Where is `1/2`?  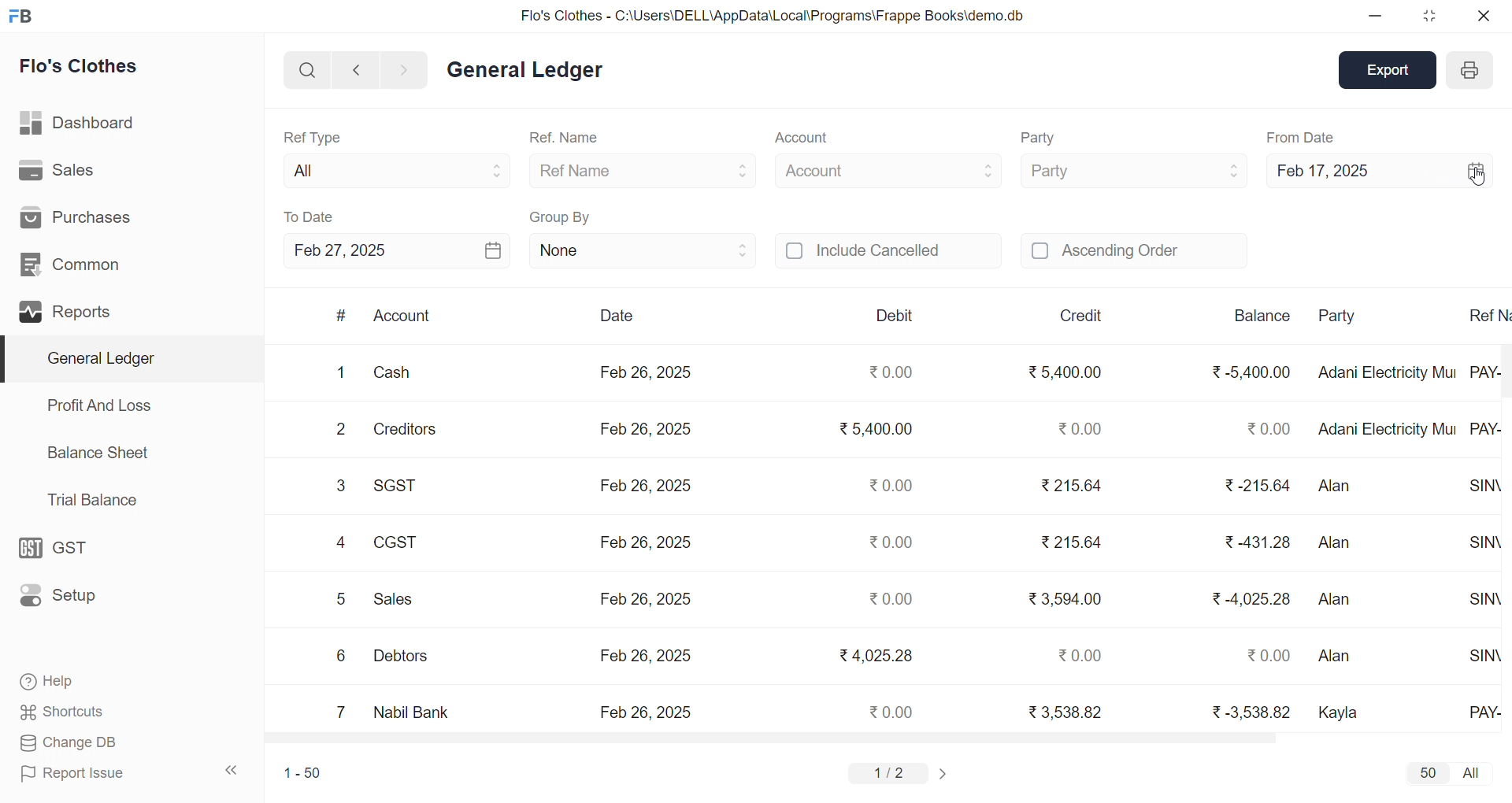 1/2 is located at coordinates (892, 772).